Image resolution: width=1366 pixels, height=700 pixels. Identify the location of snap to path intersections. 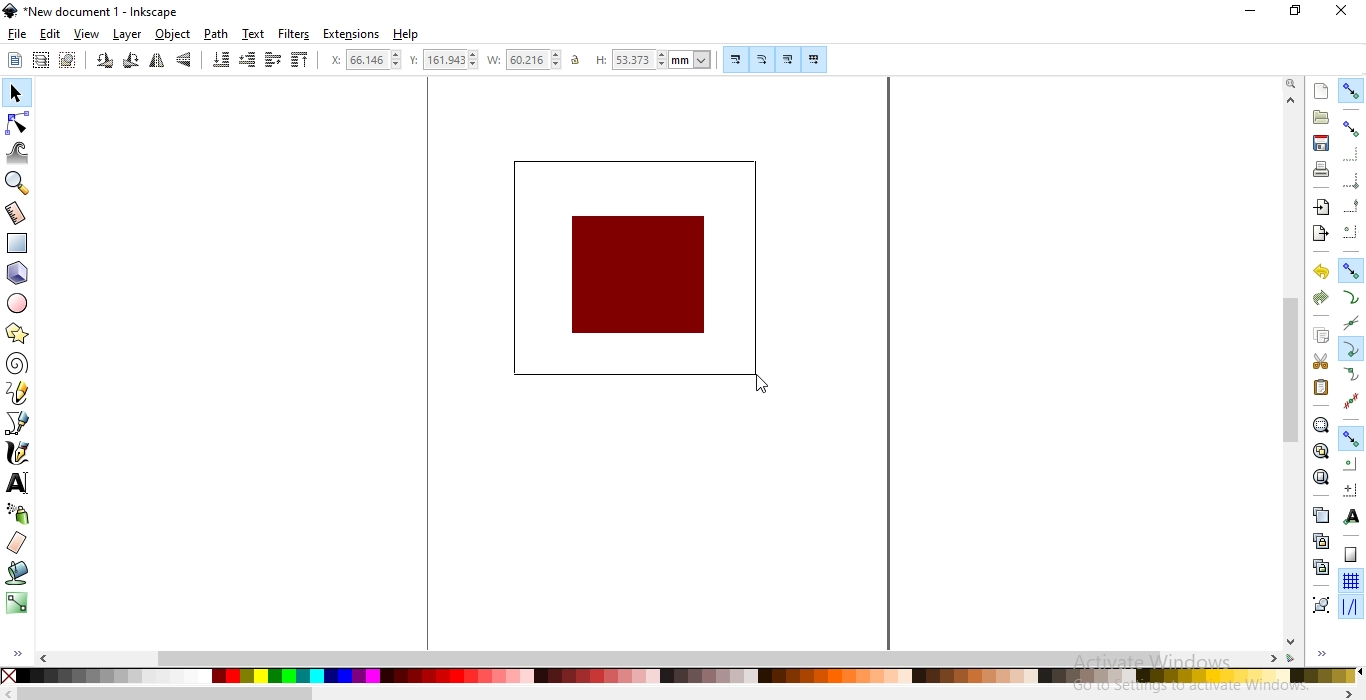
(1350, 324).